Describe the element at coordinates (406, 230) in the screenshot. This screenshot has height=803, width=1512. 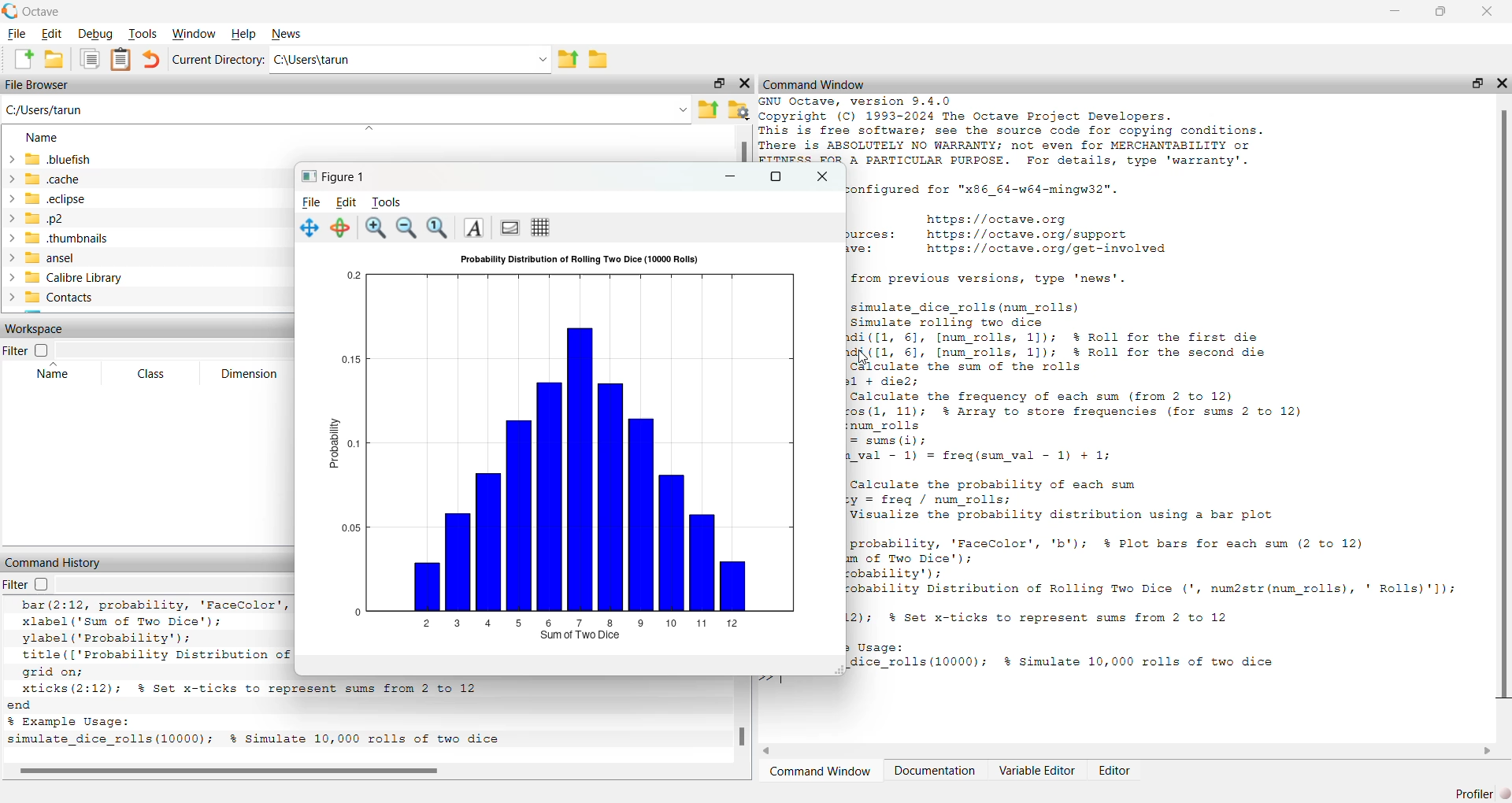
I see `zoom out` at that location.